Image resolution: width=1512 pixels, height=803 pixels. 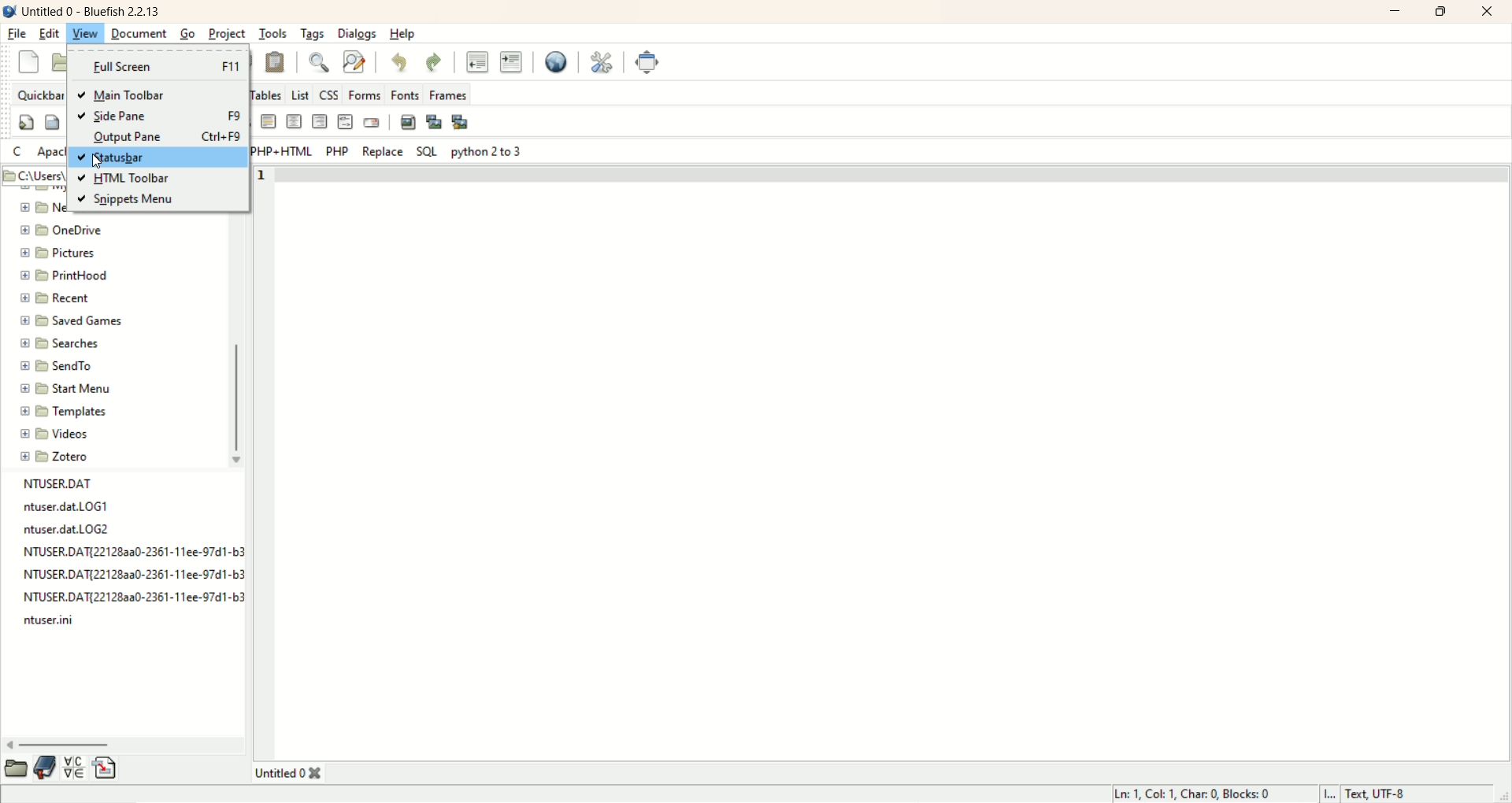 I want to click on document, so click(x=137, y=33).